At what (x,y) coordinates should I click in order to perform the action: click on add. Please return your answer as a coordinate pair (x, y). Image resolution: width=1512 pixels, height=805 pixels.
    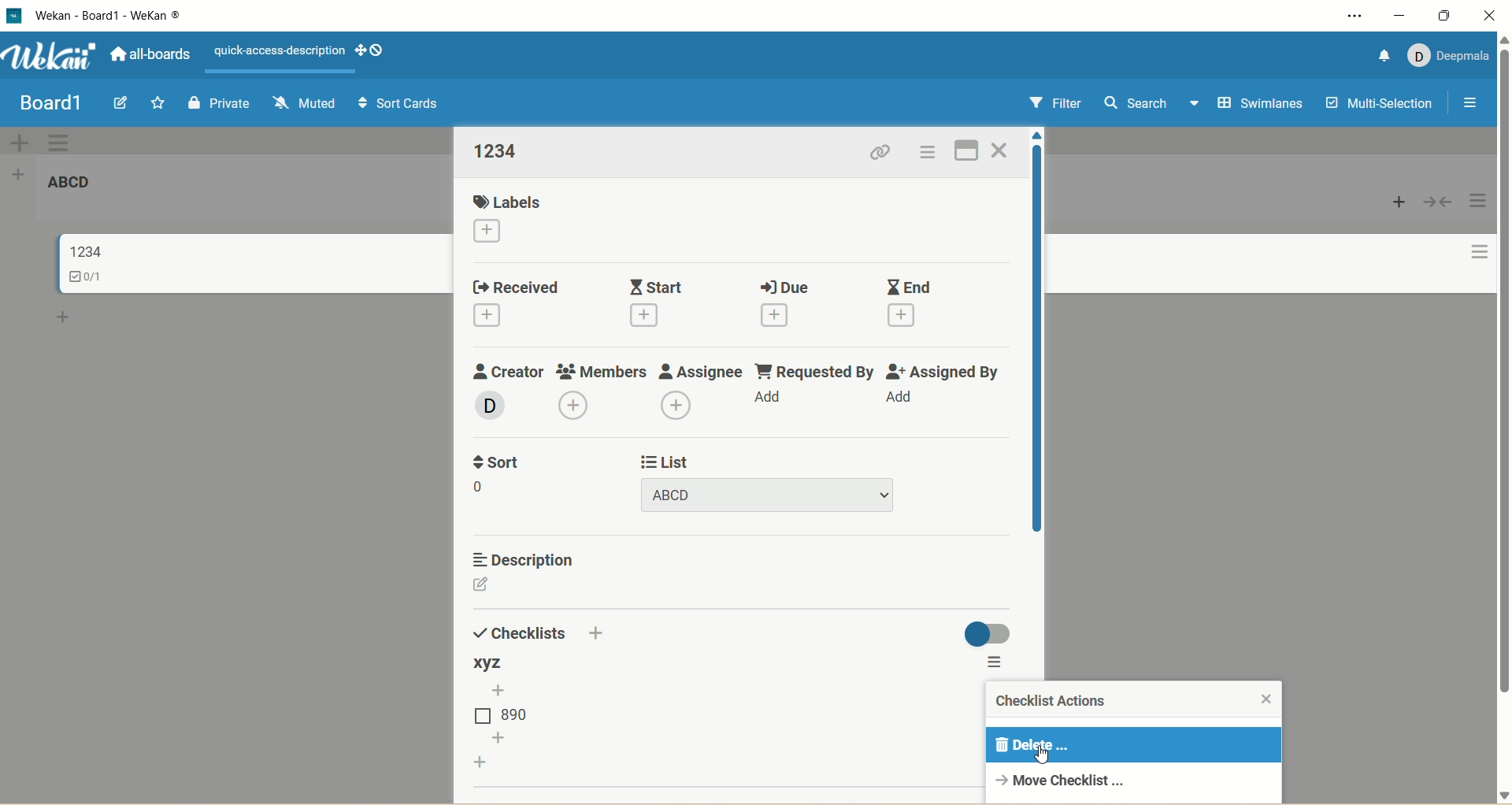
    Looking at the image, I should click on (573, 404).